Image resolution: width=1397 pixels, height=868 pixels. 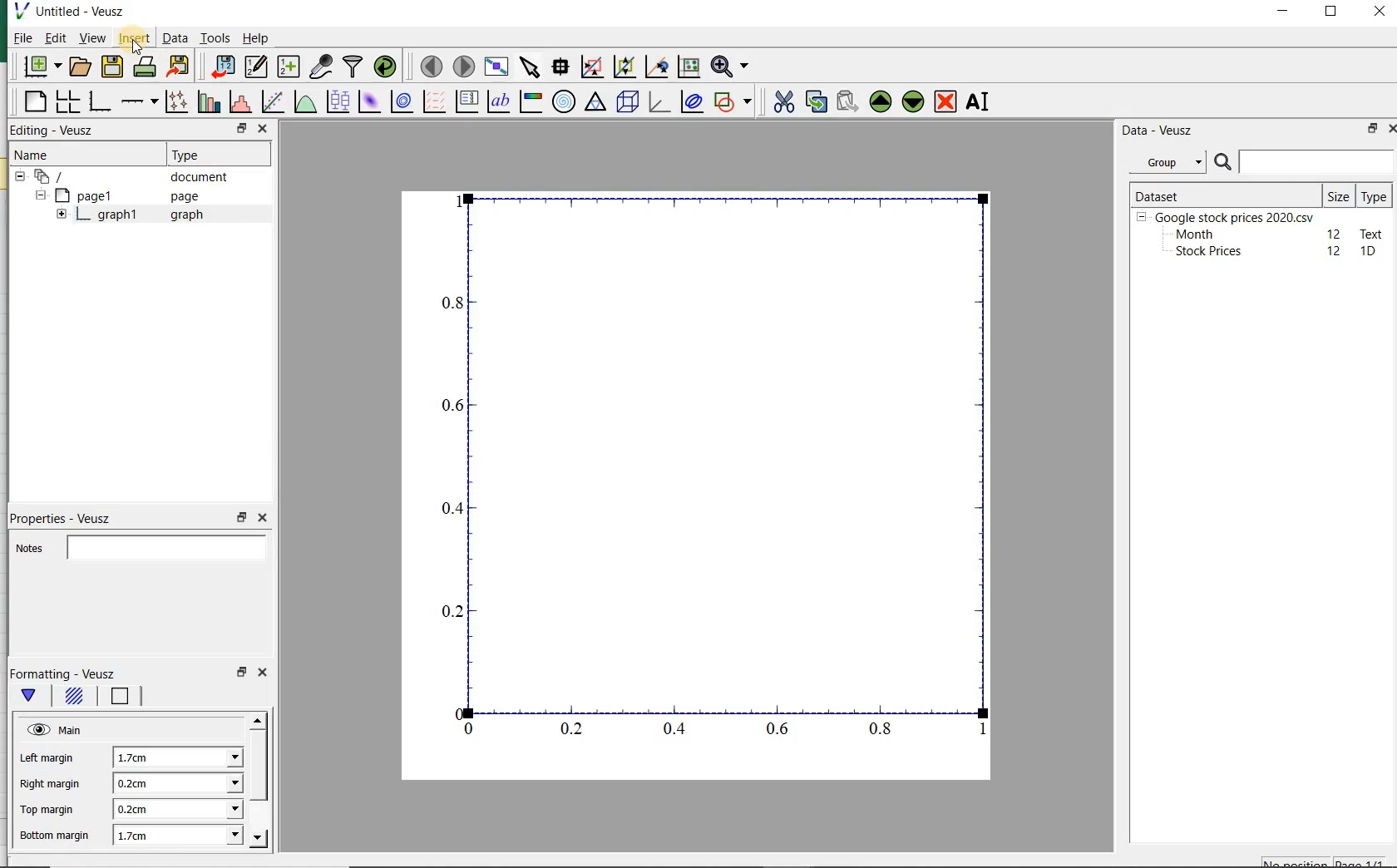 What do you see at coordinates (271, 102) in the screenshot?
I see `fit a function to data` at bounding box center [271, 102].